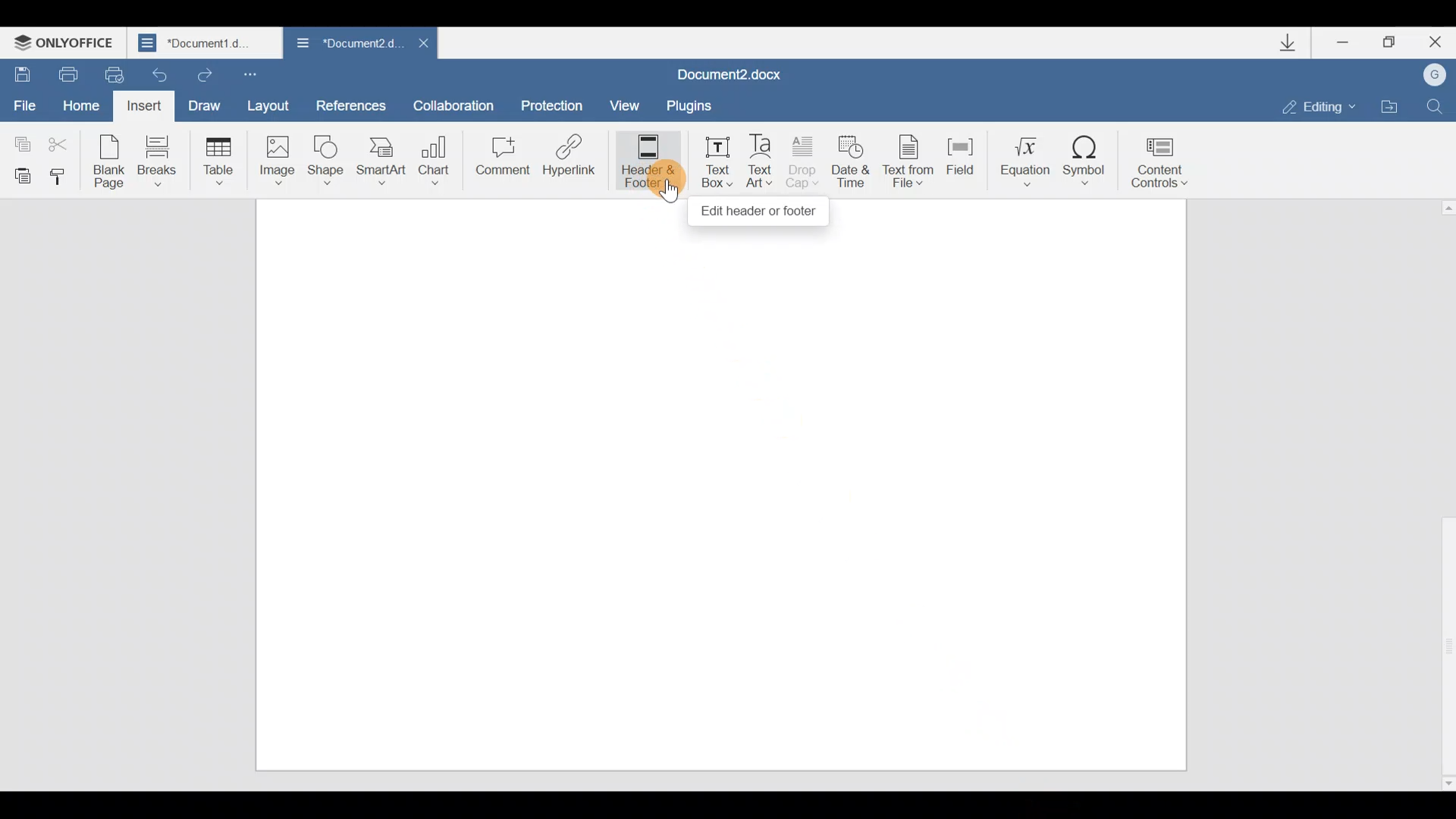 Image resolution: width=1456 pixels, height=819 pixels. Describe the element at coordinates (851, 158) in the screenshot. I see `Date & time` at that location.